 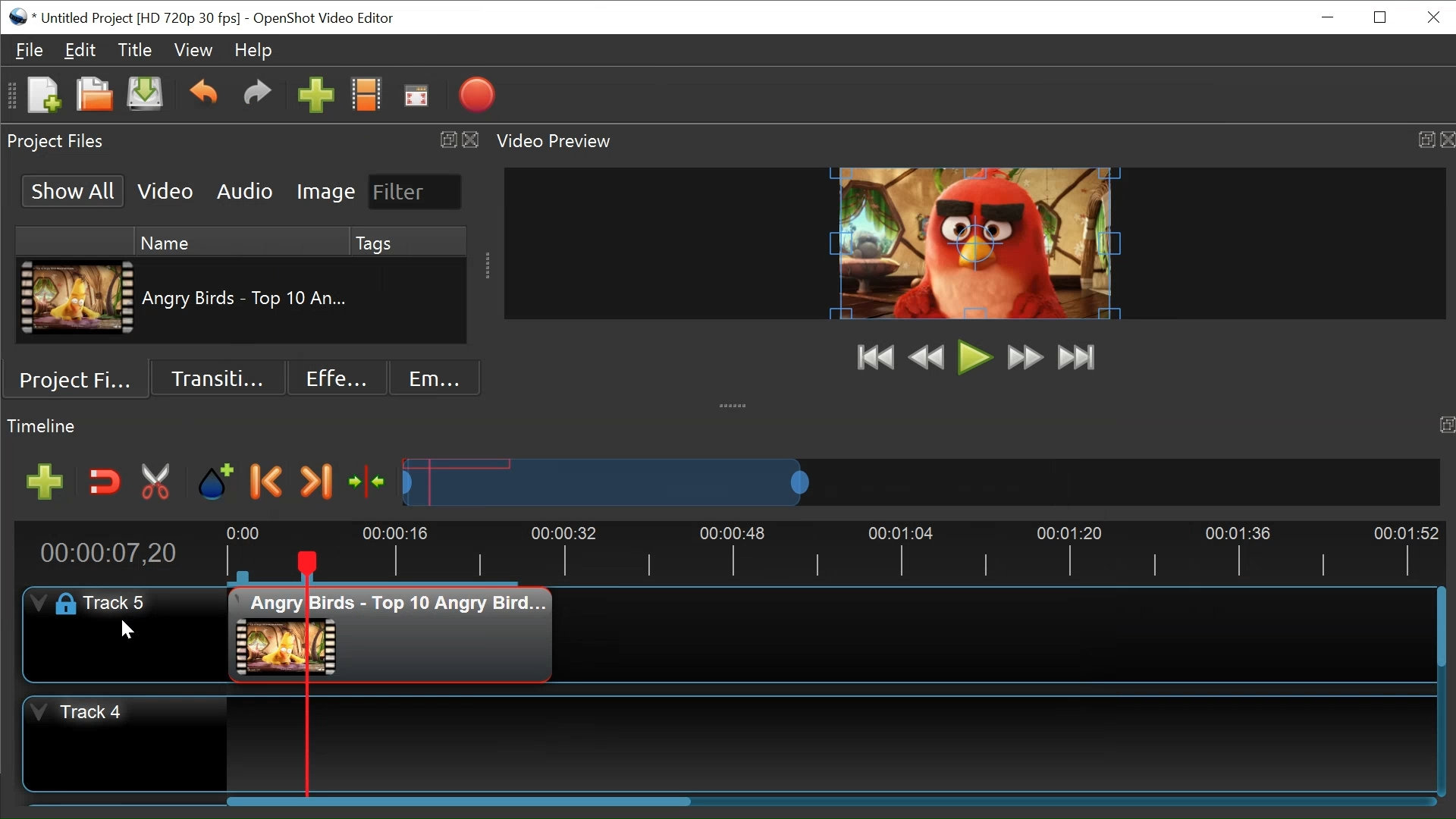 What do you see at coordinates (371, 482) in the screenshot?
I see `Center the timeline on the playhead` at bounding box center [371, 482].